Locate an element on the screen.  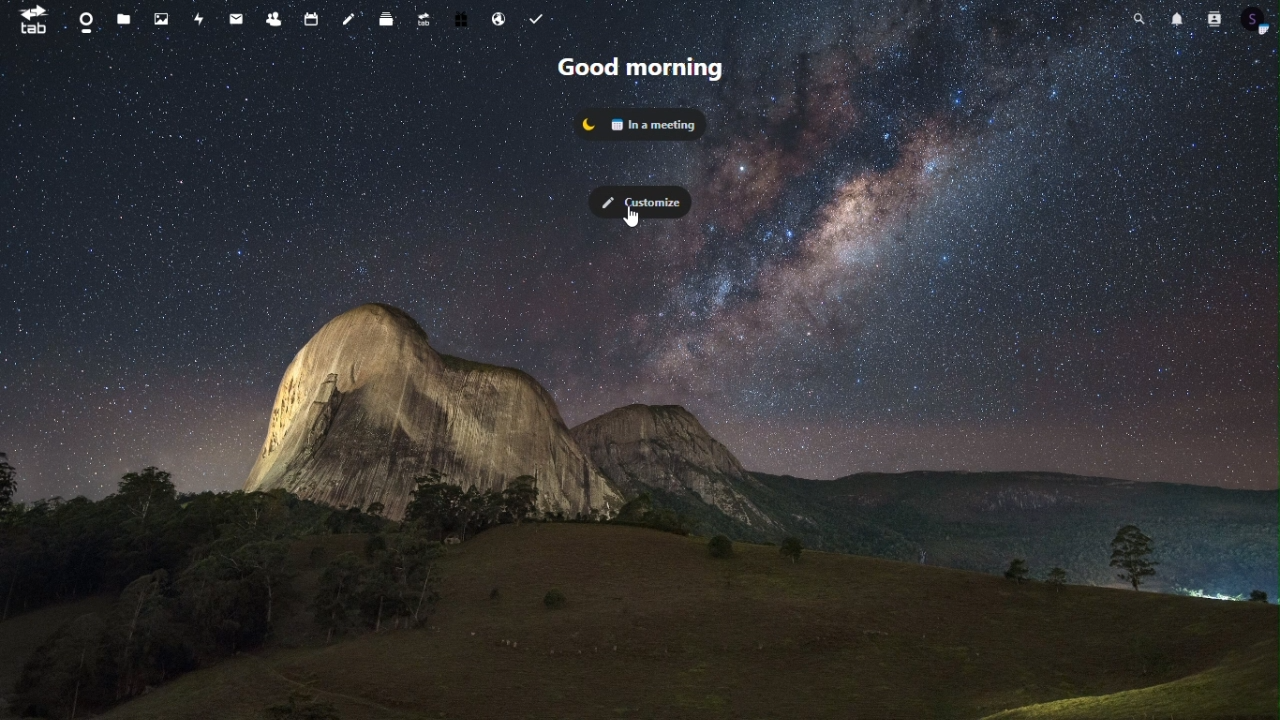
customize is located at coordinates (640, 197).